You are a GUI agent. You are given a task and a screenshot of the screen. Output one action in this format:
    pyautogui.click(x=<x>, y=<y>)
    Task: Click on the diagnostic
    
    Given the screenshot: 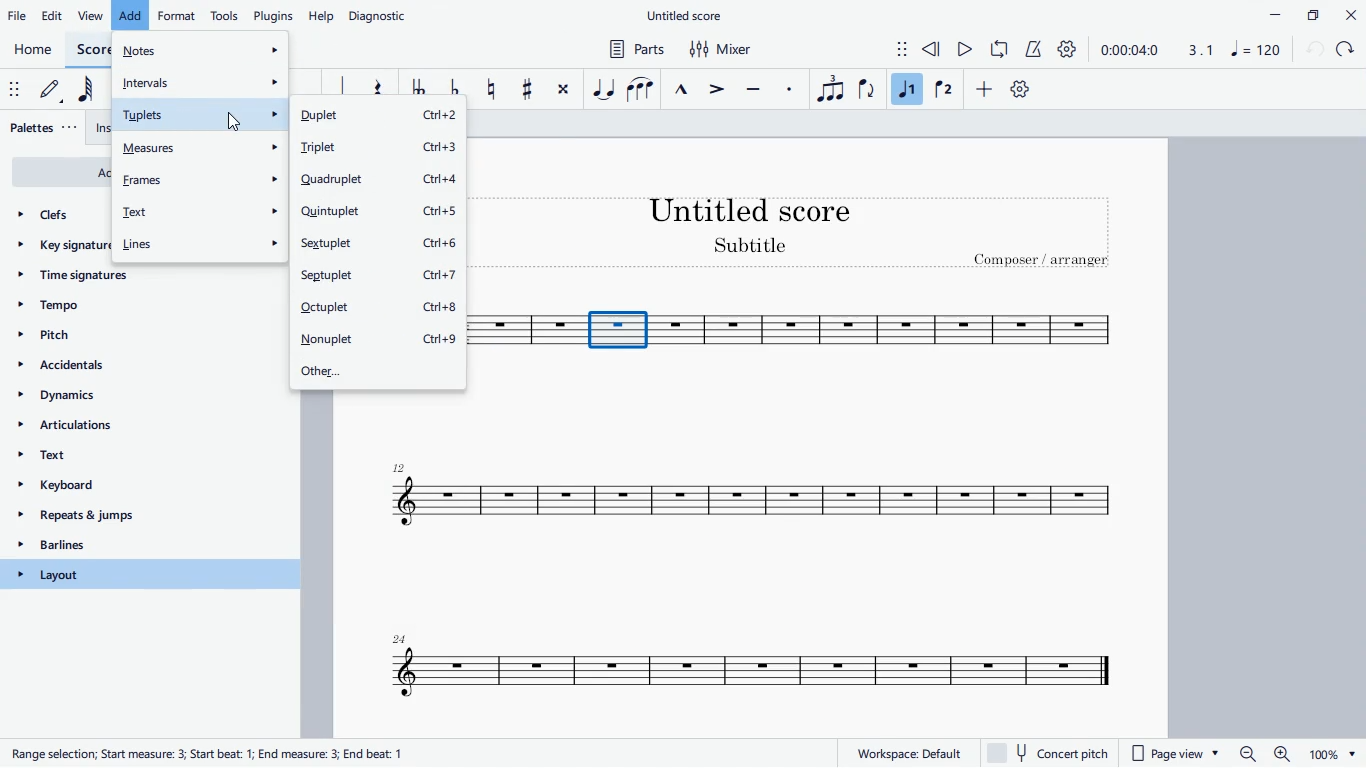 What is the action you would take?
    pyautogui.click(x=383, y=13)
    